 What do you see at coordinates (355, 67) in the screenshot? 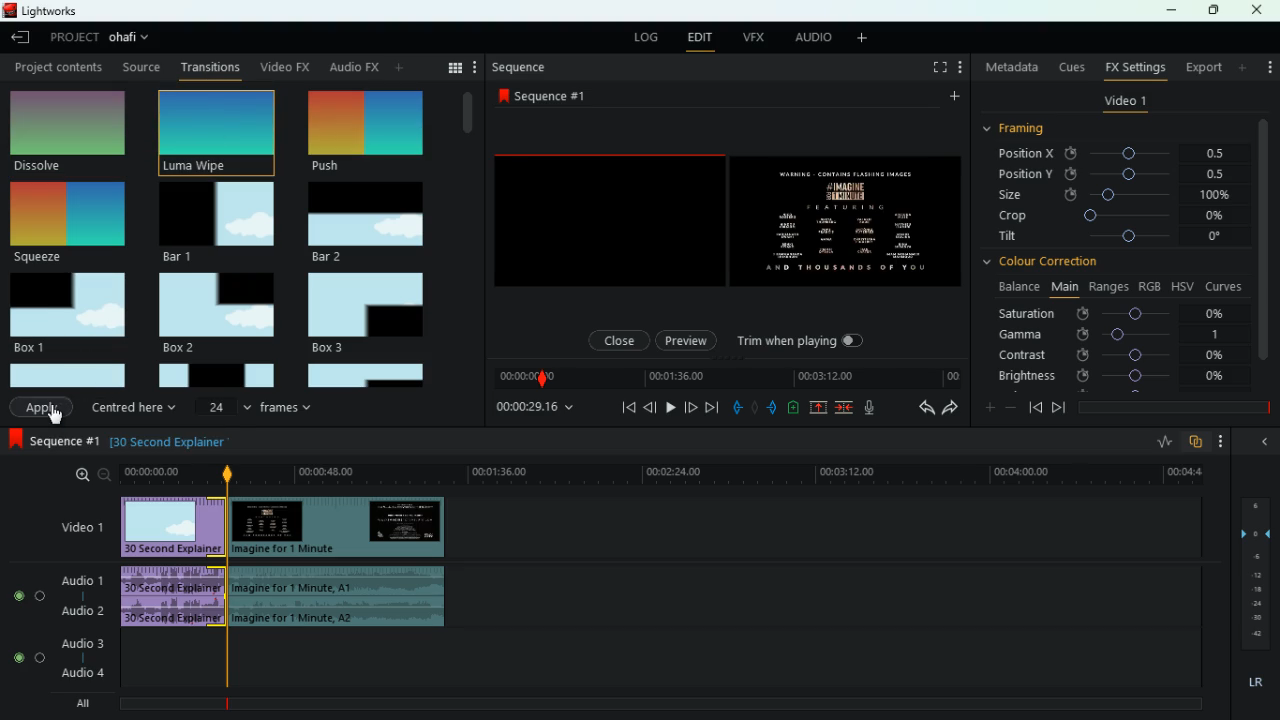
I see `back` at bounding box center [355, 67].